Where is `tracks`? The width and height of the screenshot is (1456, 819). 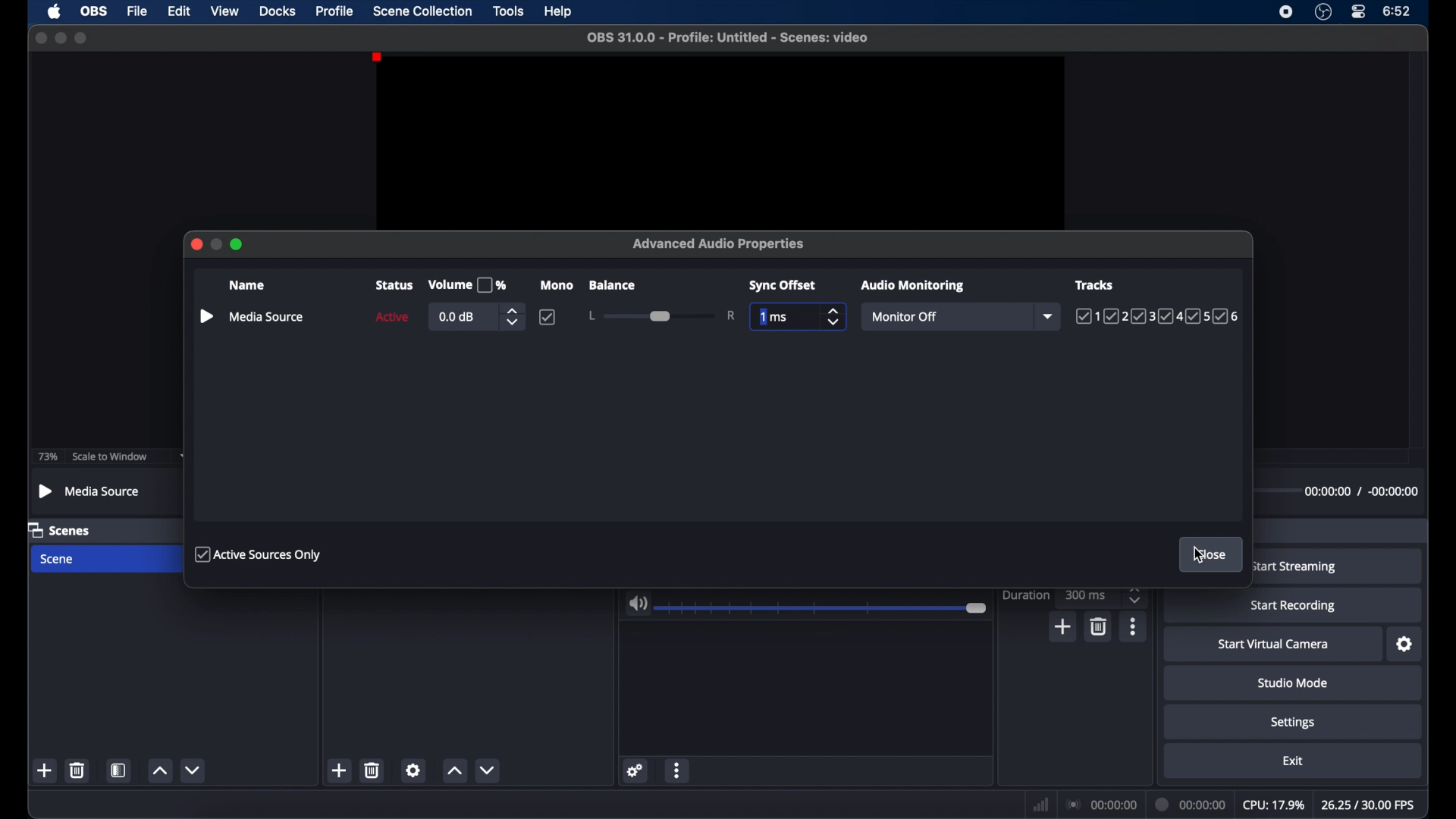
tracks is located at coordinates (1156, 315).